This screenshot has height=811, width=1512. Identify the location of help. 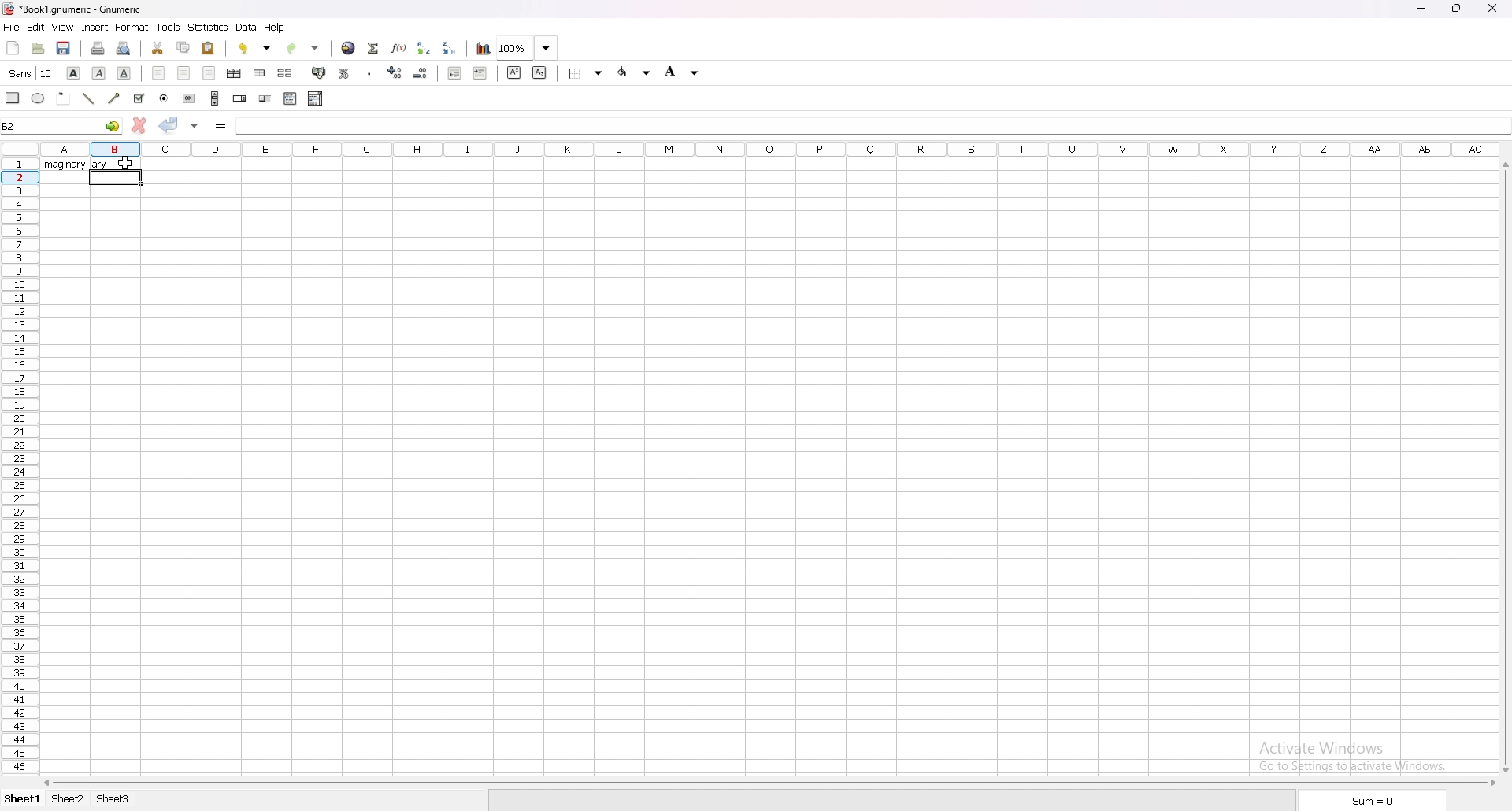
(275, 28).